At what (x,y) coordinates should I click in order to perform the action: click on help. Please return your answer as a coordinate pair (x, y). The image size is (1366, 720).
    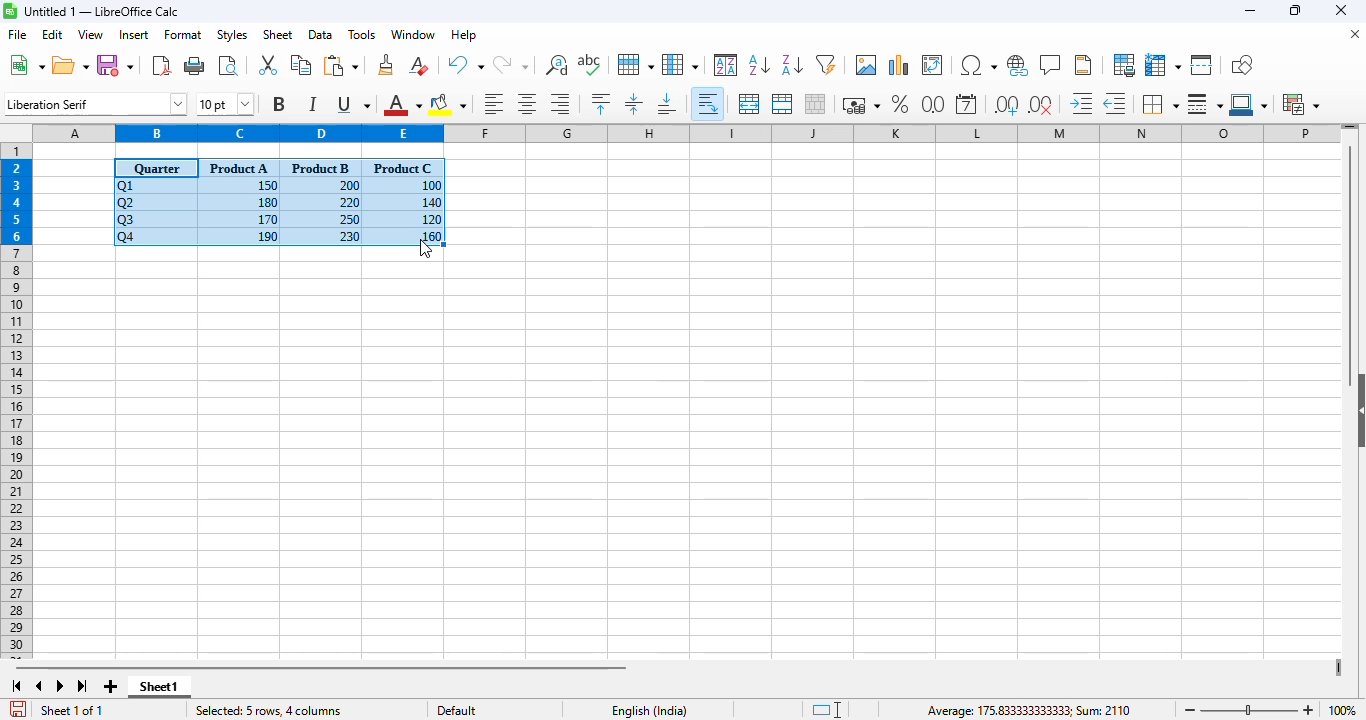
    Looking at the image, I should click on (464, 35).